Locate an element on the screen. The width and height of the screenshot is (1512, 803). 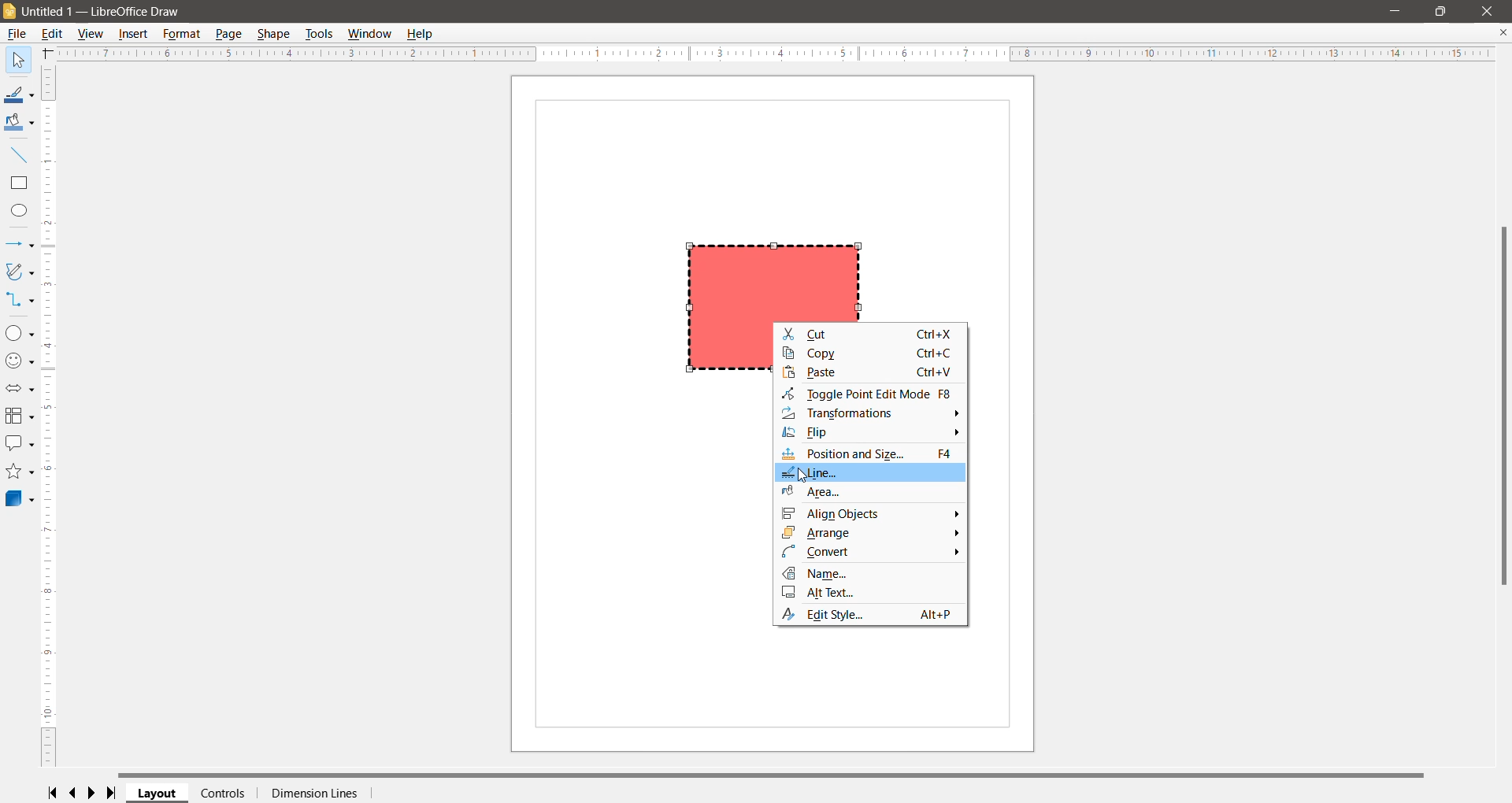
Close is located at coordinates (1488, 12).